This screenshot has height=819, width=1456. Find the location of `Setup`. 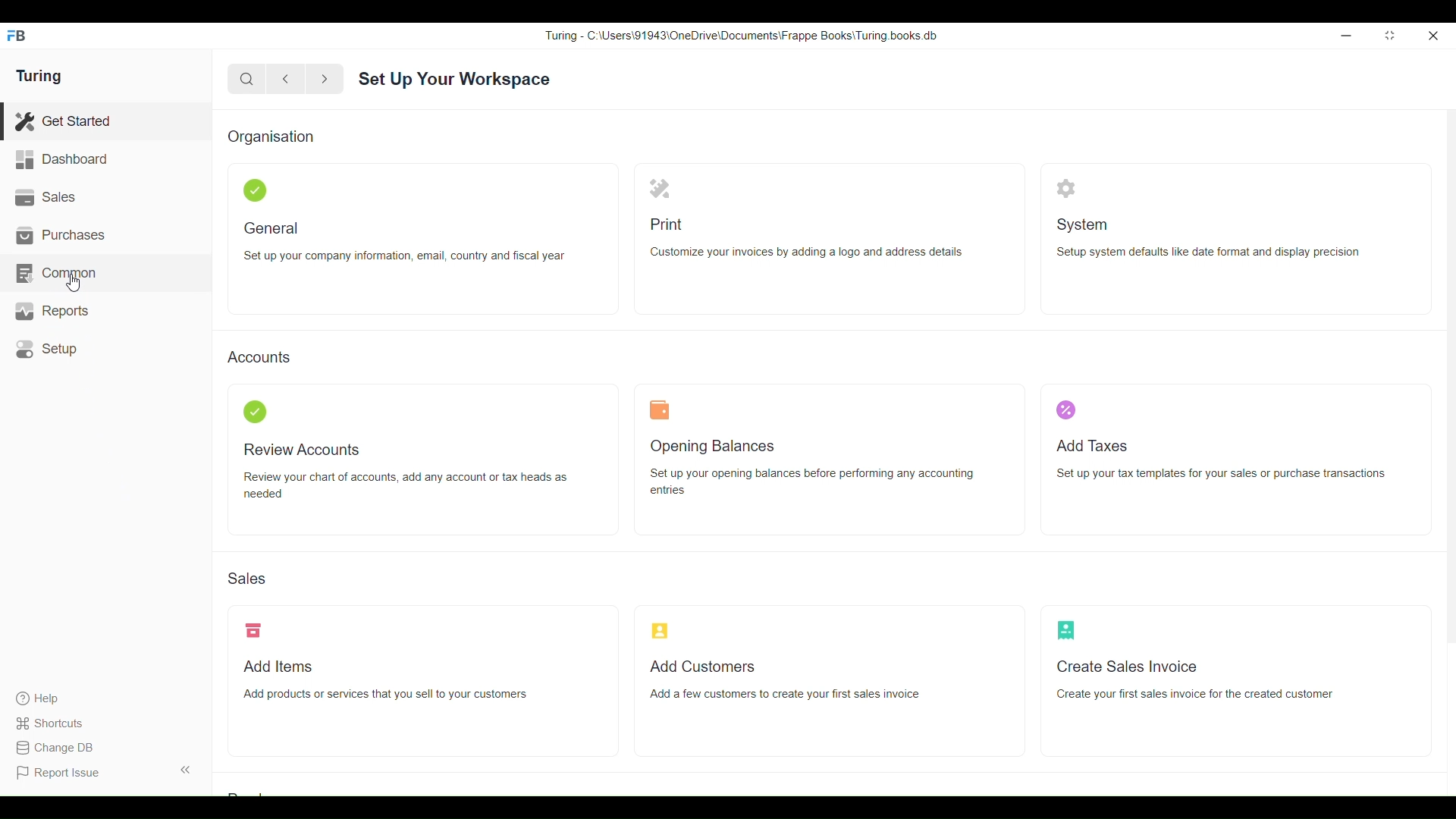

Setup is located at coordinates (108, 349).